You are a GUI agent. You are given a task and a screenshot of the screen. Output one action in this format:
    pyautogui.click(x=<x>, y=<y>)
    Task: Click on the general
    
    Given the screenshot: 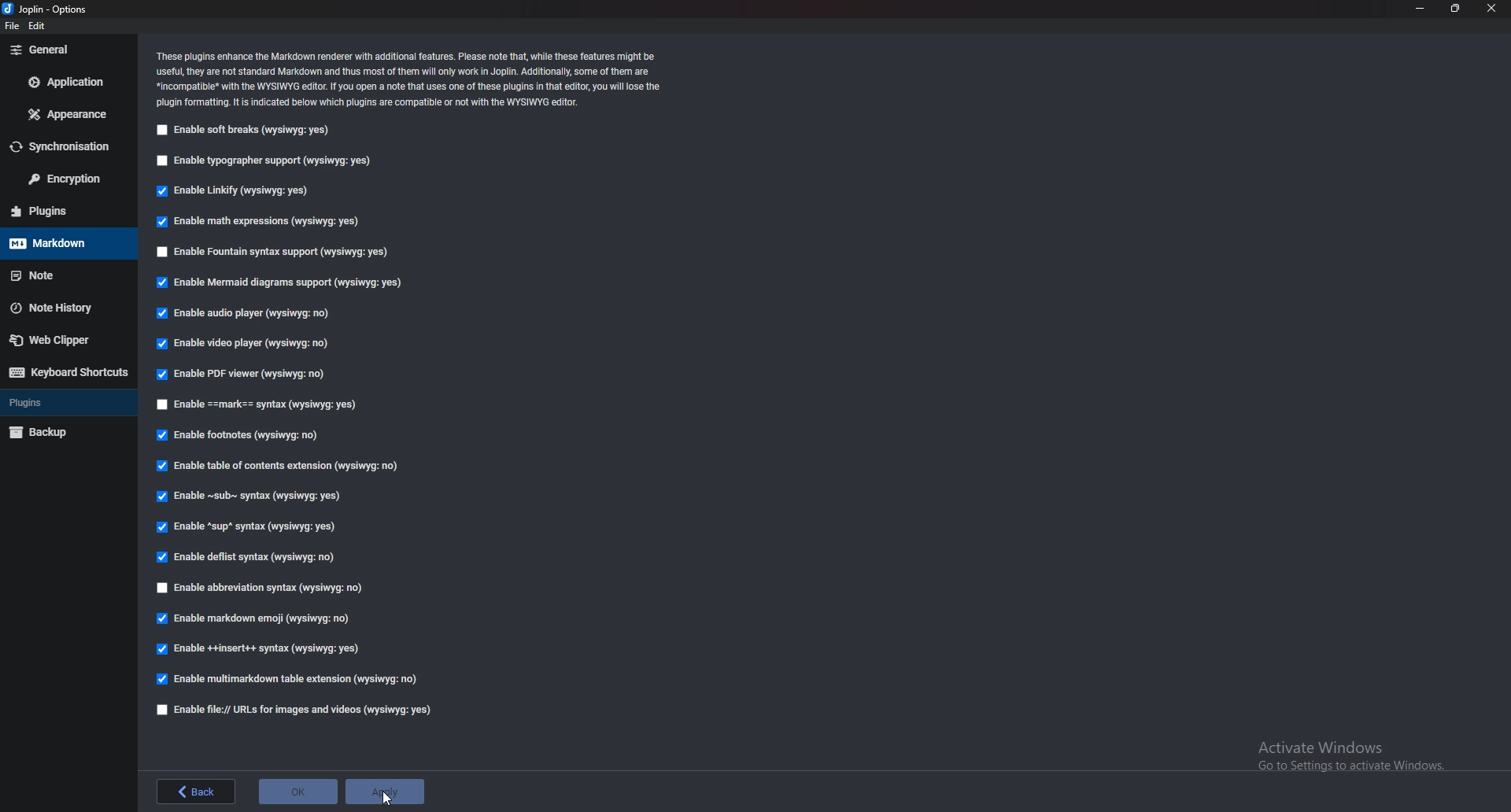 What is the action you would take?
    pyautogui.click(x=63, y=51)
    